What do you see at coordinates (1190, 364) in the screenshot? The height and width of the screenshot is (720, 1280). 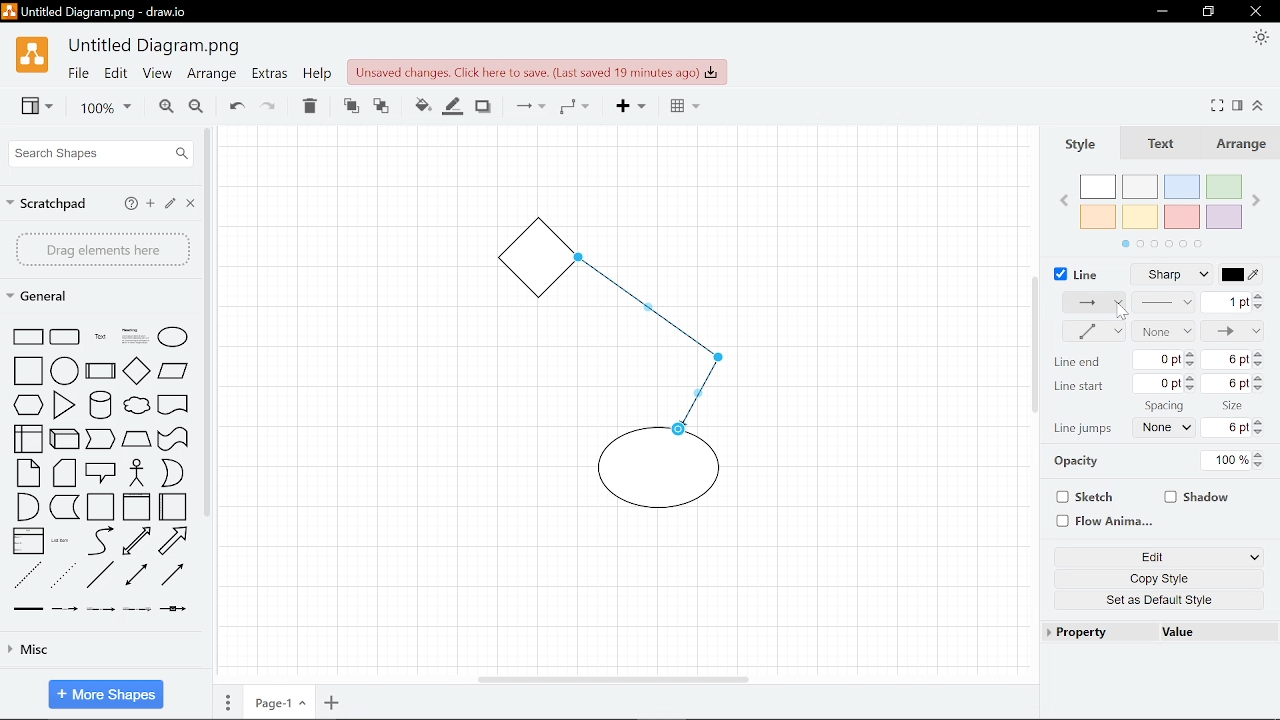 I see `decrease line end` at bounding box center [1190, 364].